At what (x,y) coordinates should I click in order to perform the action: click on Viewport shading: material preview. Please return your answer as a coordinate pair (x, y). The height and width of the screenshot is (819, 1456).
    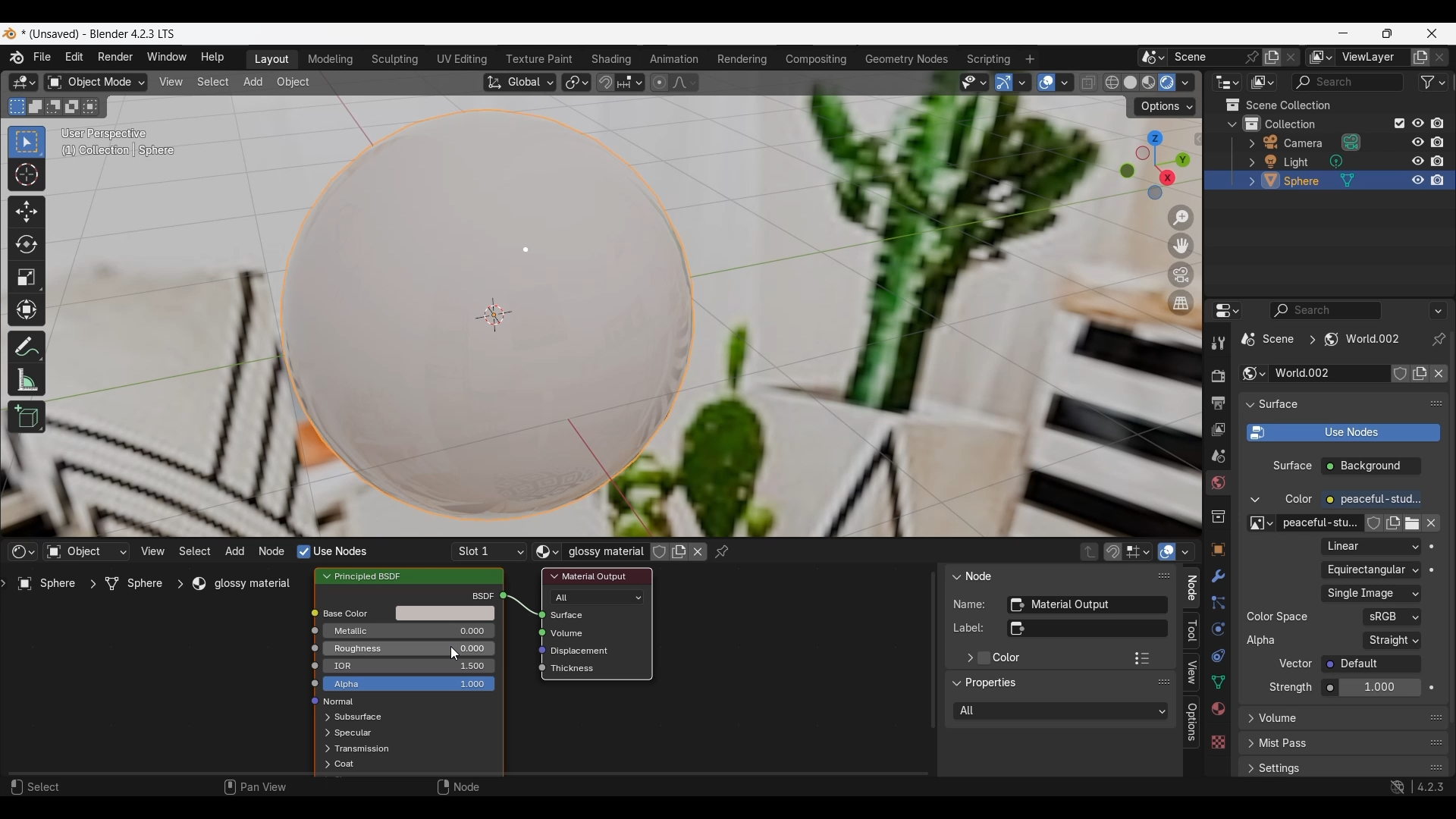
    Looking at the image, I should click on (1149, 83).